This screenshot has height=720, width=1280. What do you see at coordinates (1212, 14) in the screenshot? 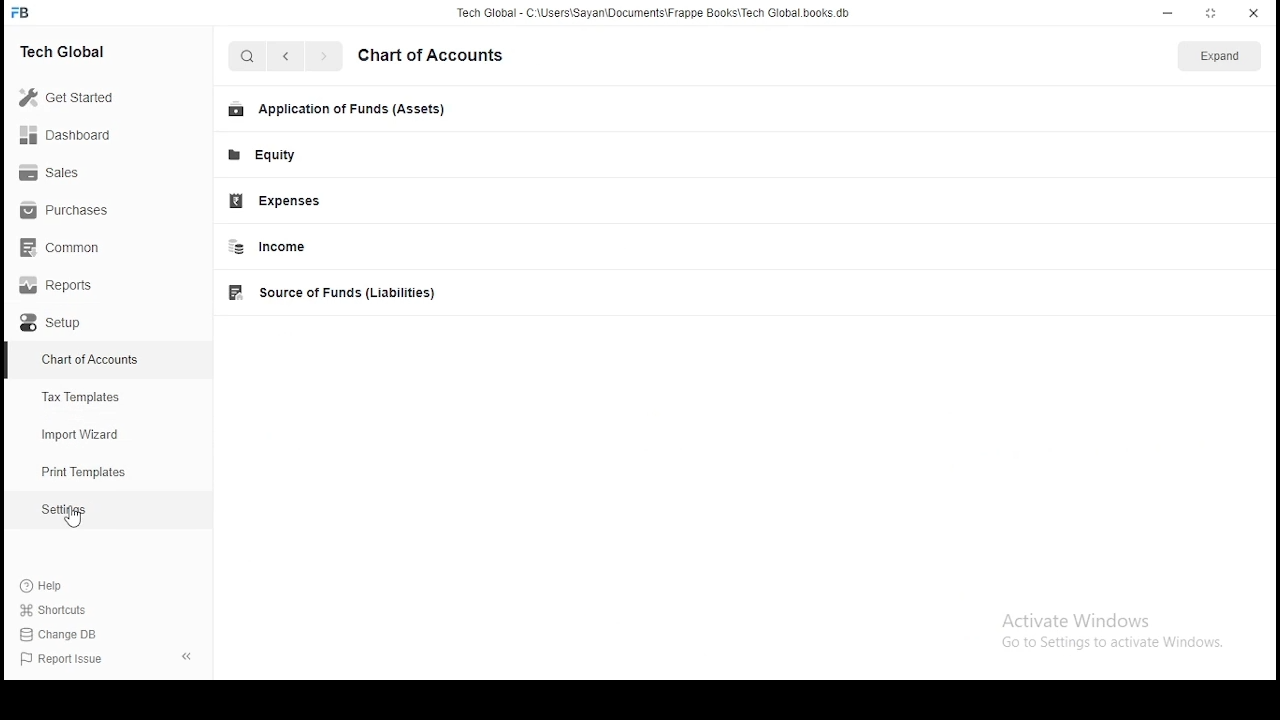
I see `resize ` at bounding box center [1212, 14].